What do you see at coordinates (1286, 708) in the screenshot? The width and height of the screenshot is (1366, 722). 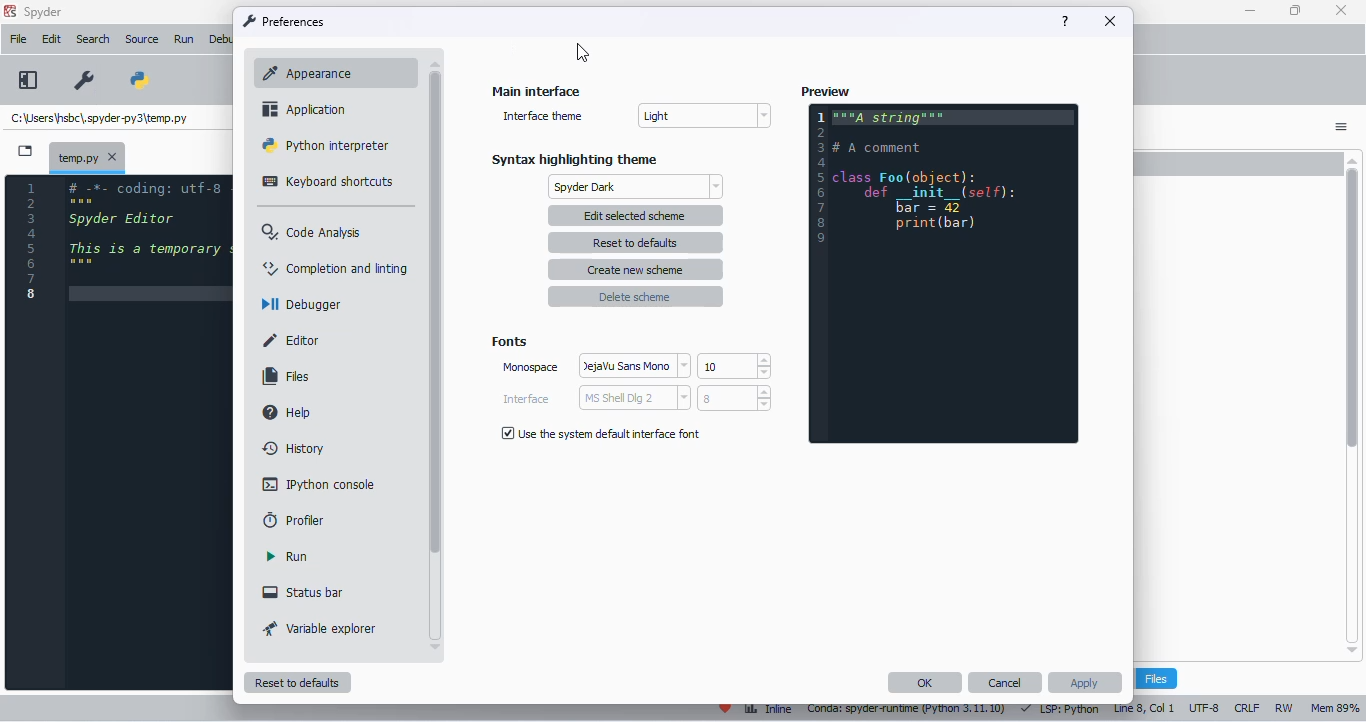 I see `RW` at bounding box center [1286, 708].